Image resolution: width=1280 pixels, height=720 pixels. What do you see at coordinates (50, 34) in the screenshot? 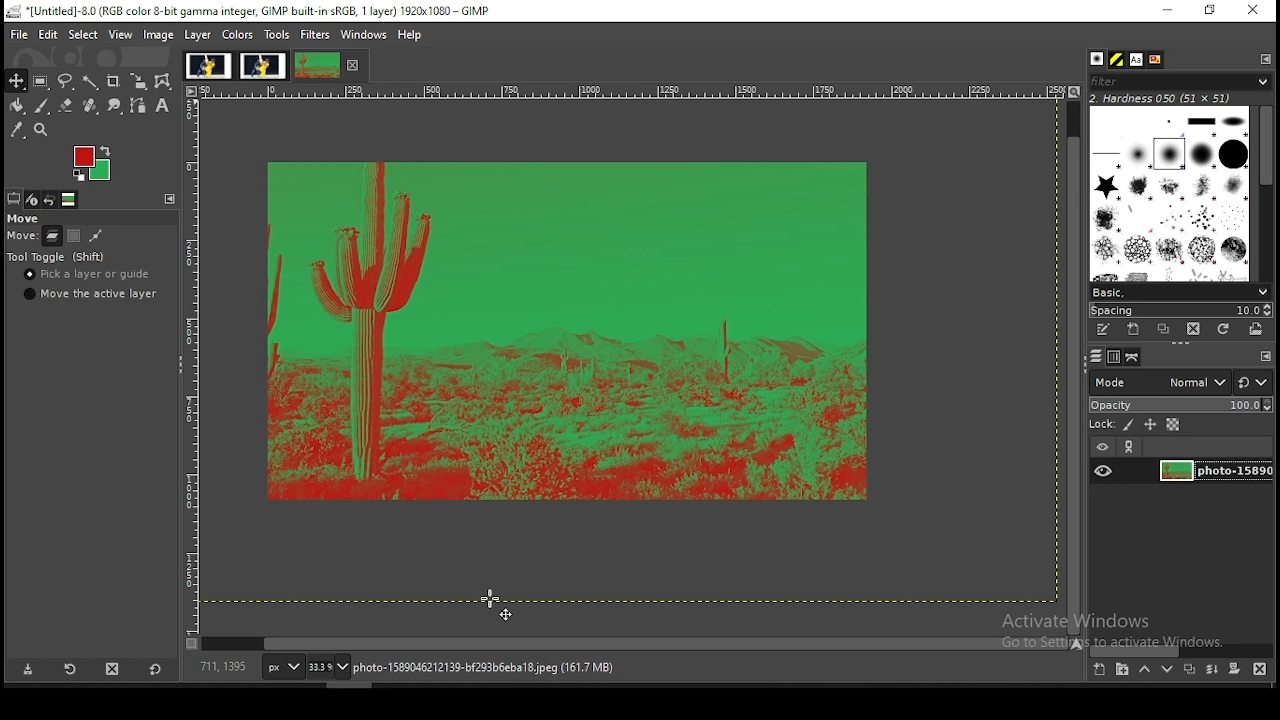
I see `edit` at bounding box center [50, 34].